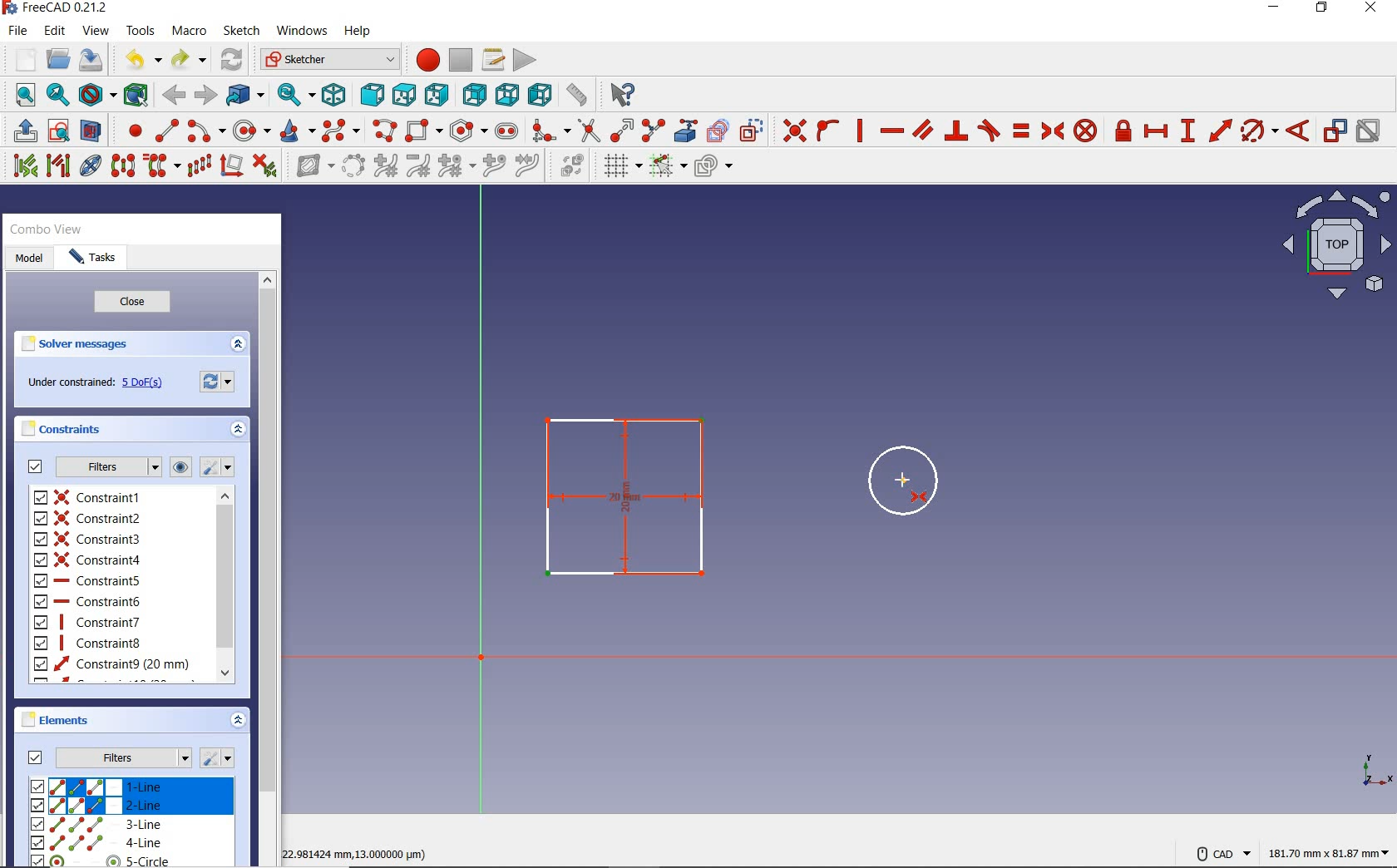 This screenshot has width=1397, height=868. Describe the element at coordinates (1337, 249) in the screenshot. I see `Plane view` at that location.